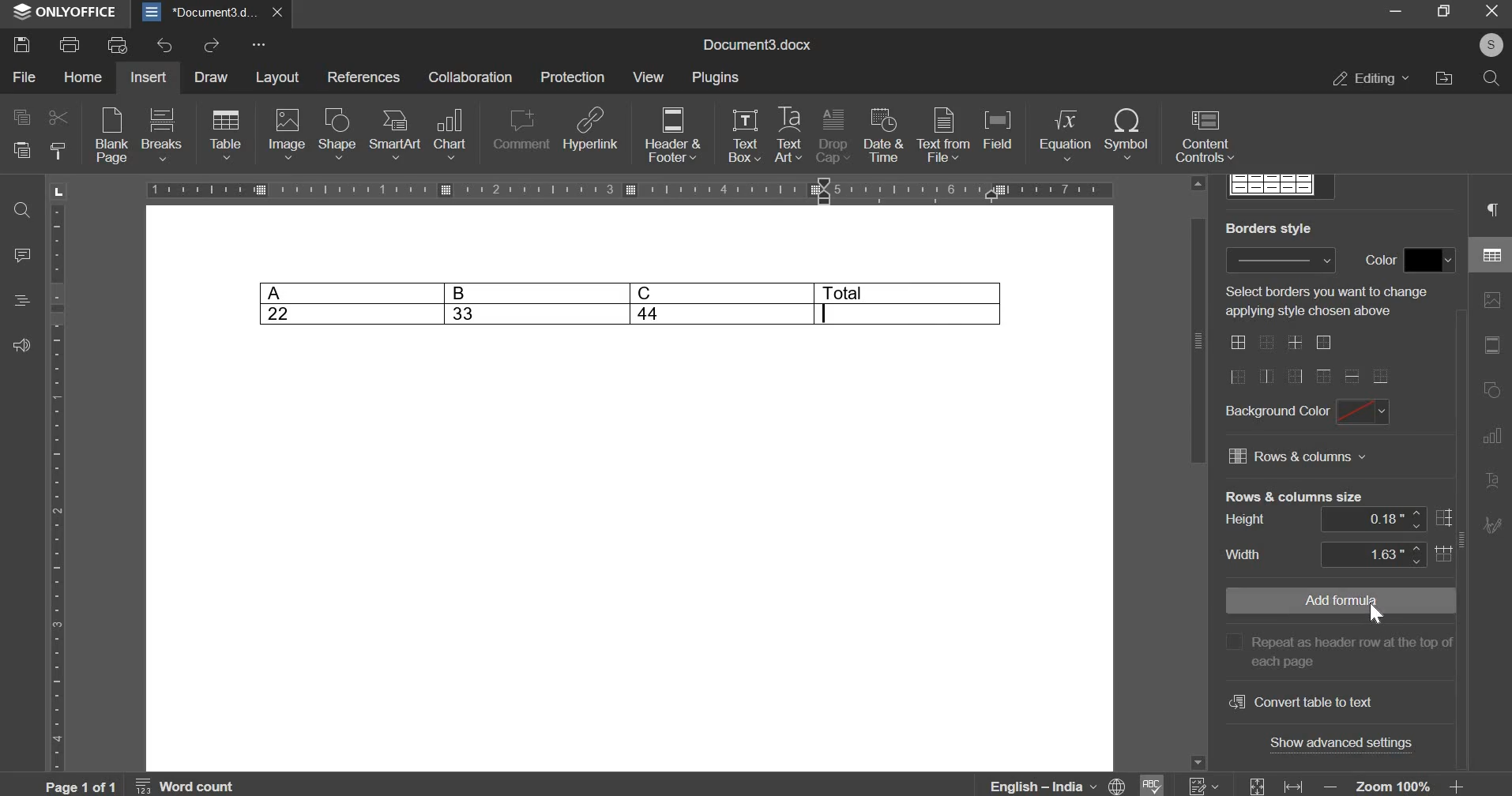 This screenshot has width=1512, height=796. I want to click on Ruler, so click(629, 190).